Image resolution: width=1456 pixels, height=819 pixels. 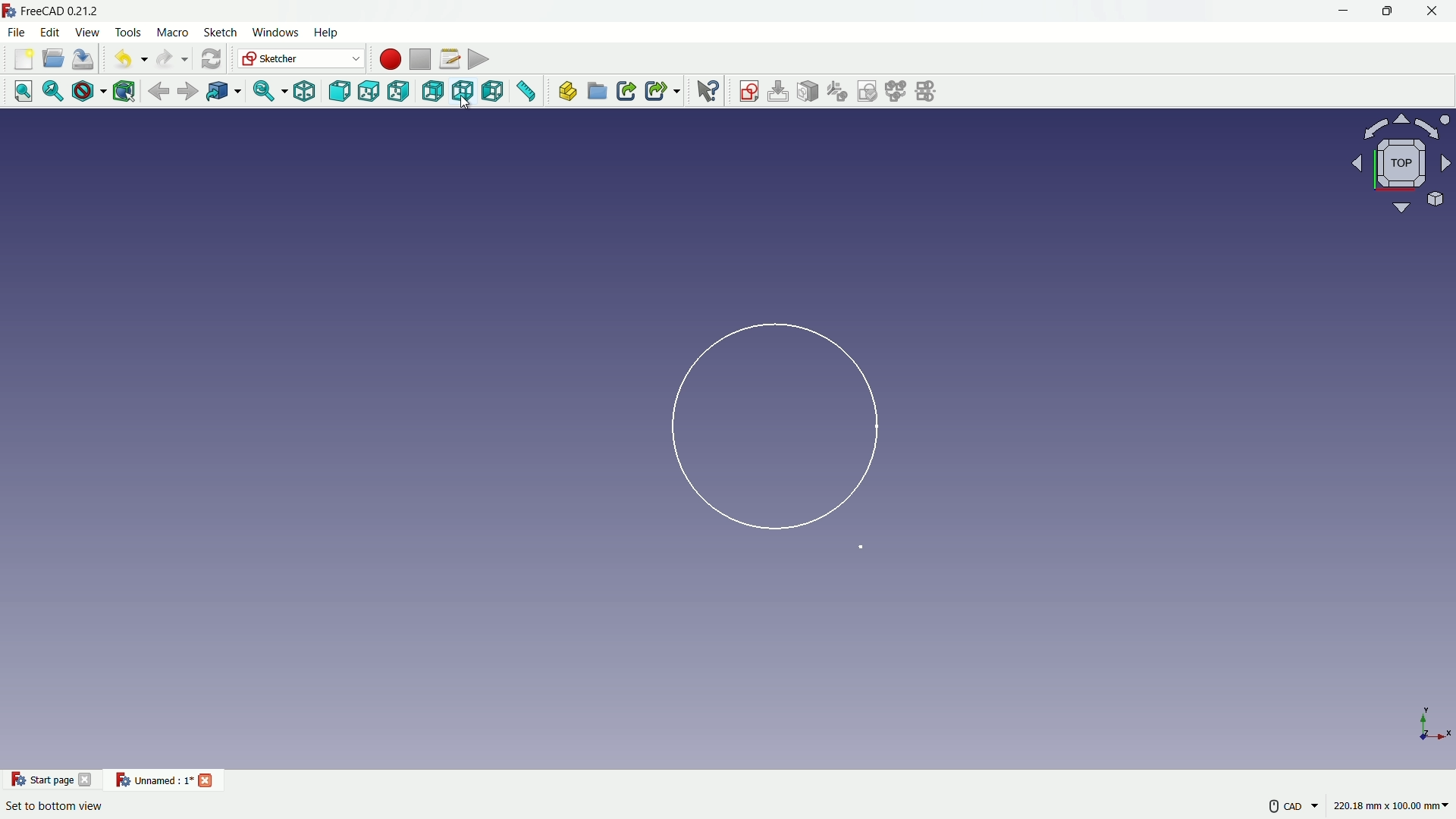 I want to click on rear view, so click(x=431, y=91).